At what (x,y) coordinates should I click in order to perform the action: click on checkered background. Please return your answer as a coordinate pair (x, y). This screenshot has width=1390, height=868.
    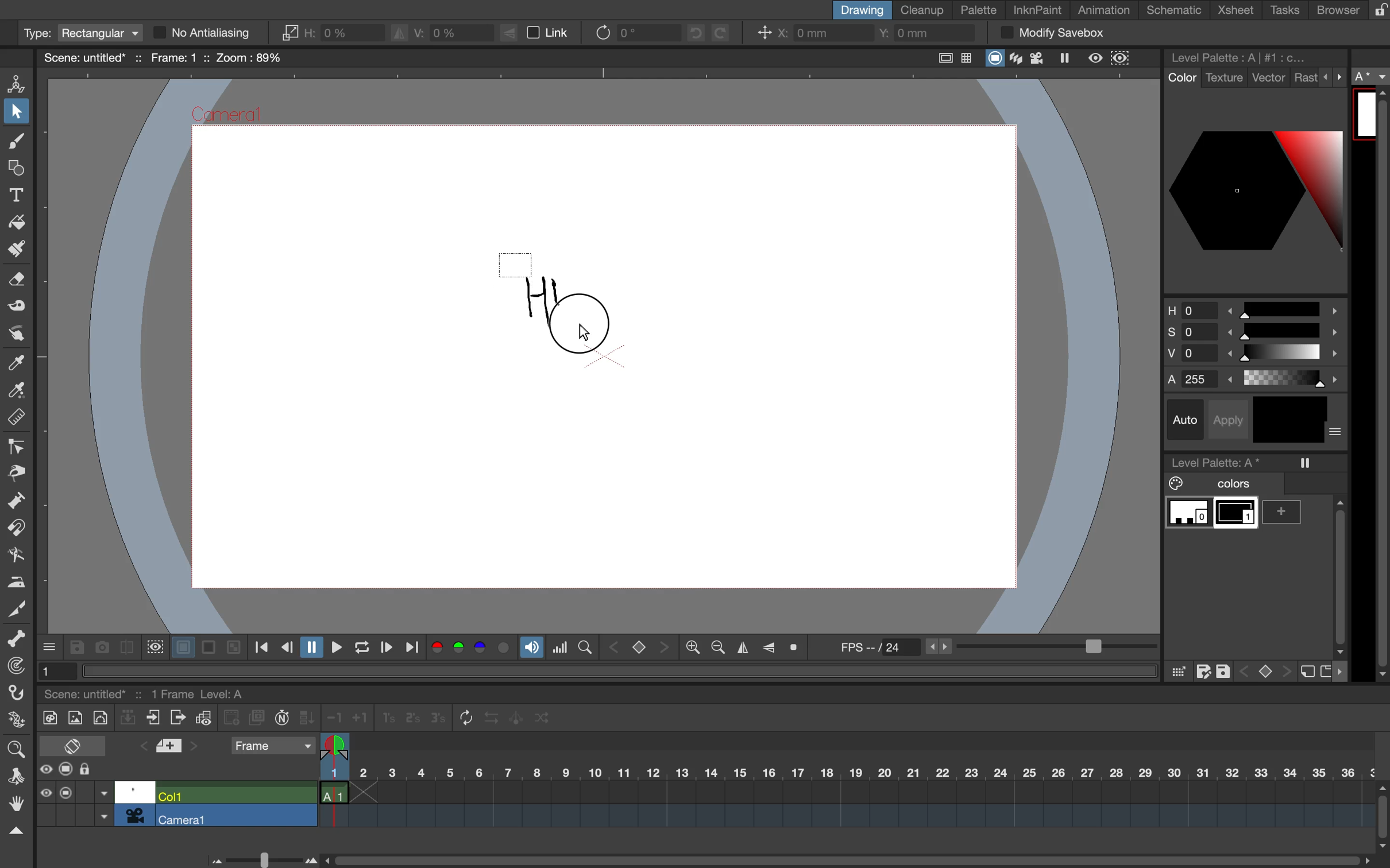
    Looking at the image, I should click on (232, 646).